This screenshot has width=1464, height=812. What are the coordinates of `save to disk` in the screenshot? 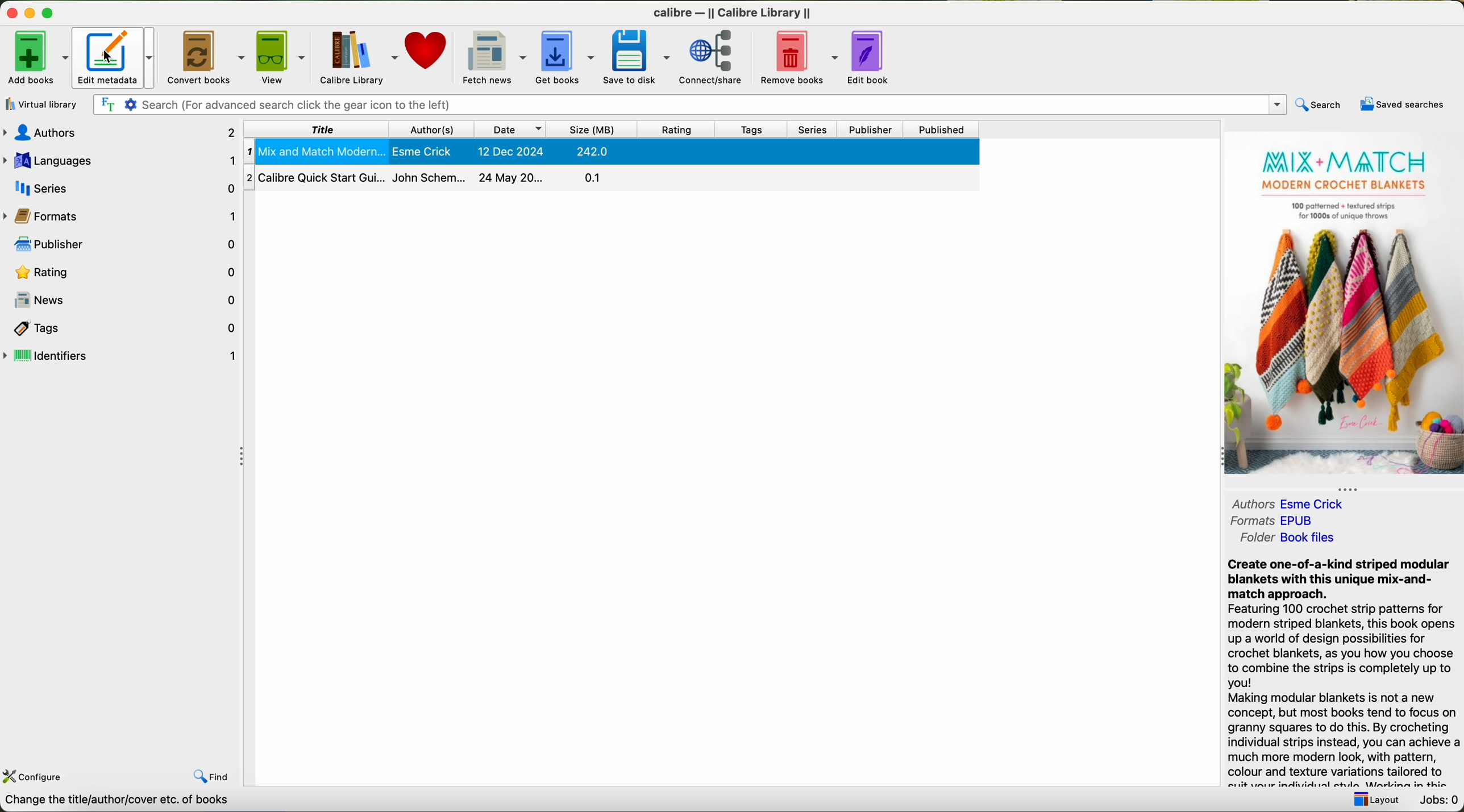 It's located at (639, 56).